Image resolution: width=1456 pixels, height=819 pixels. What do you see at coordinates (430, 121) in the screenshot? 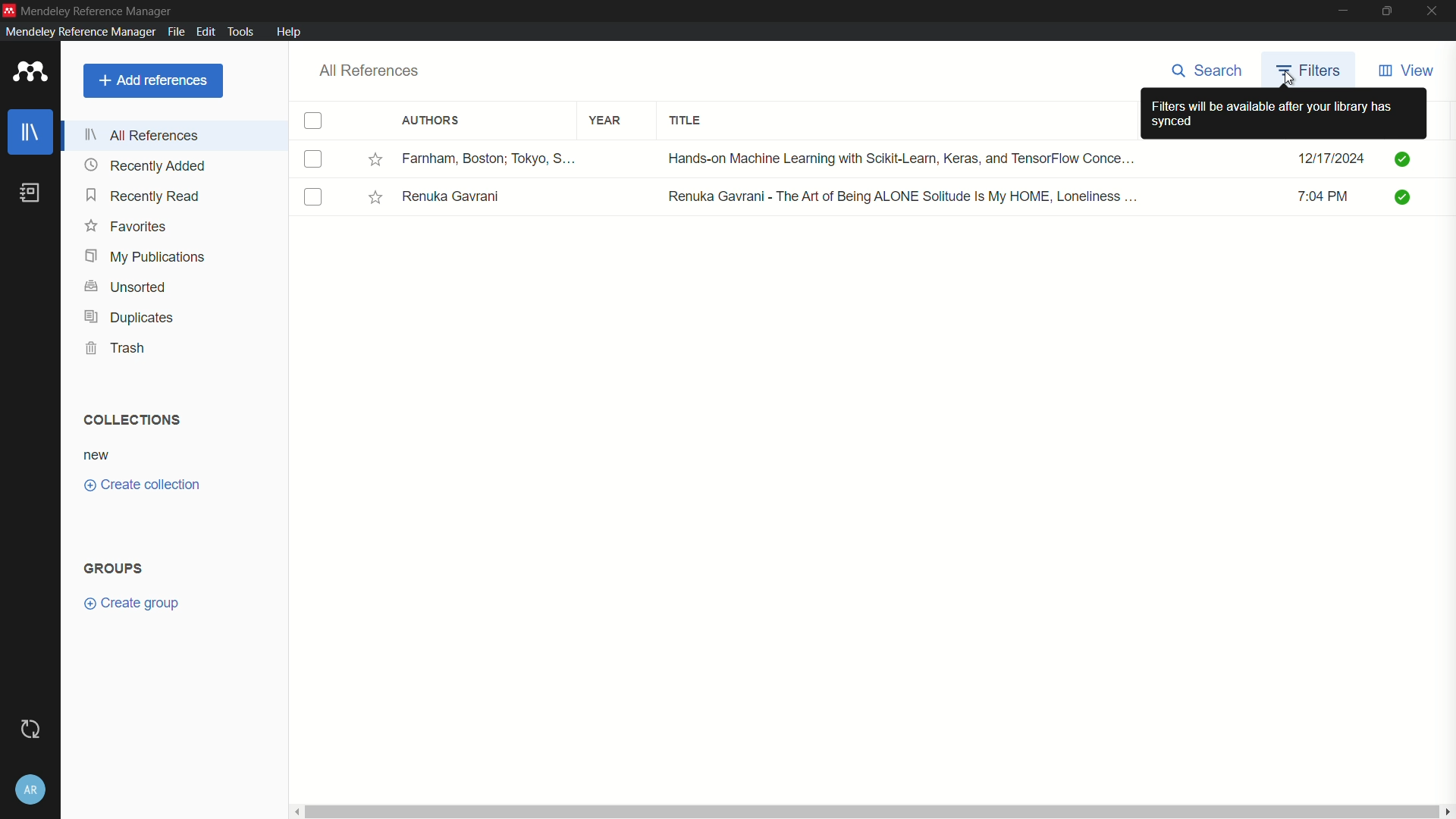
I see `authors` at bounding box center [430, 121].